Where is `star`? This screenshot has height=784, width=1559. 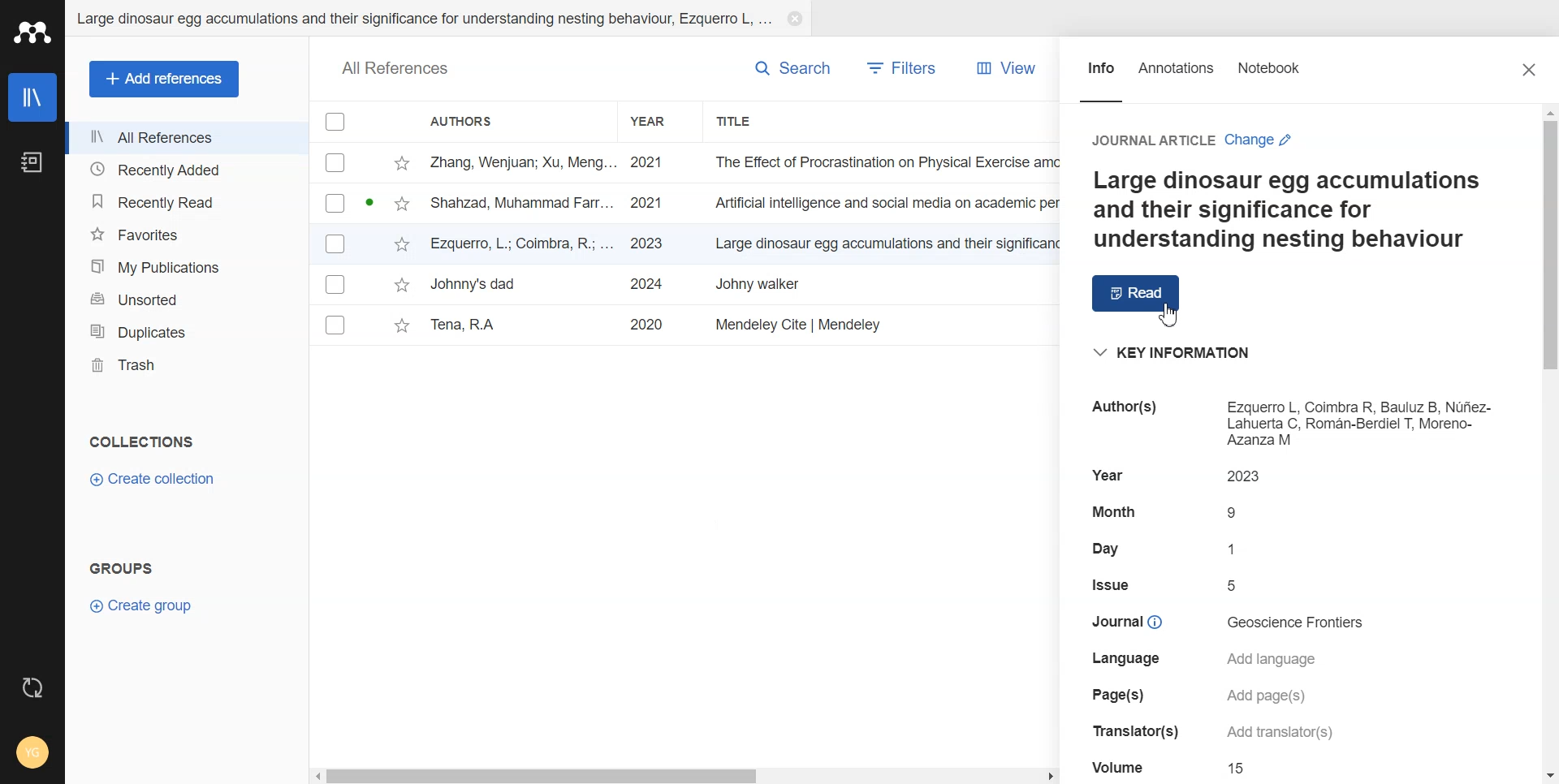
star is located at coordinates (403, 245).